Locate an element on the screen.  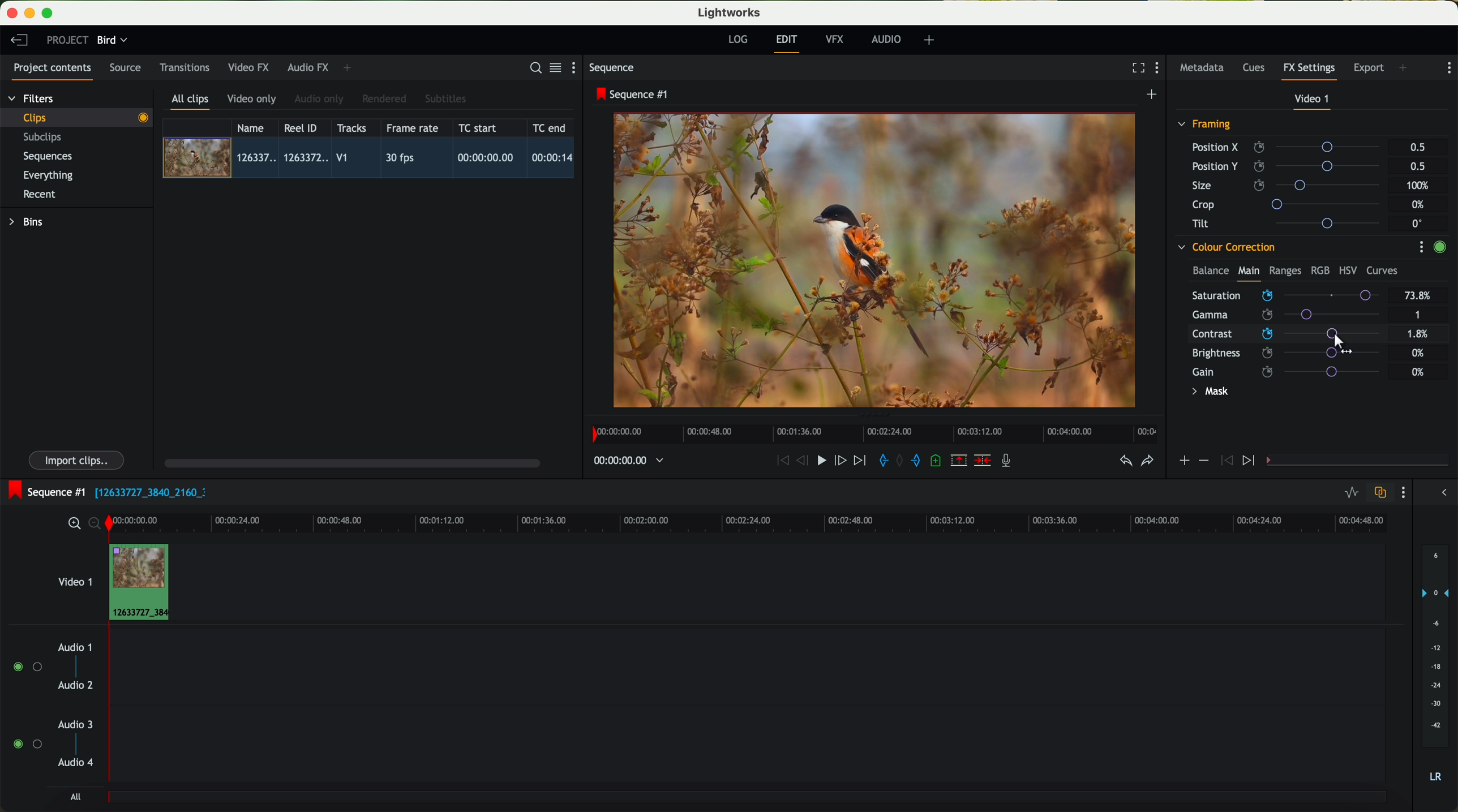
record a voice-over is located at coordinates (1010, 462).